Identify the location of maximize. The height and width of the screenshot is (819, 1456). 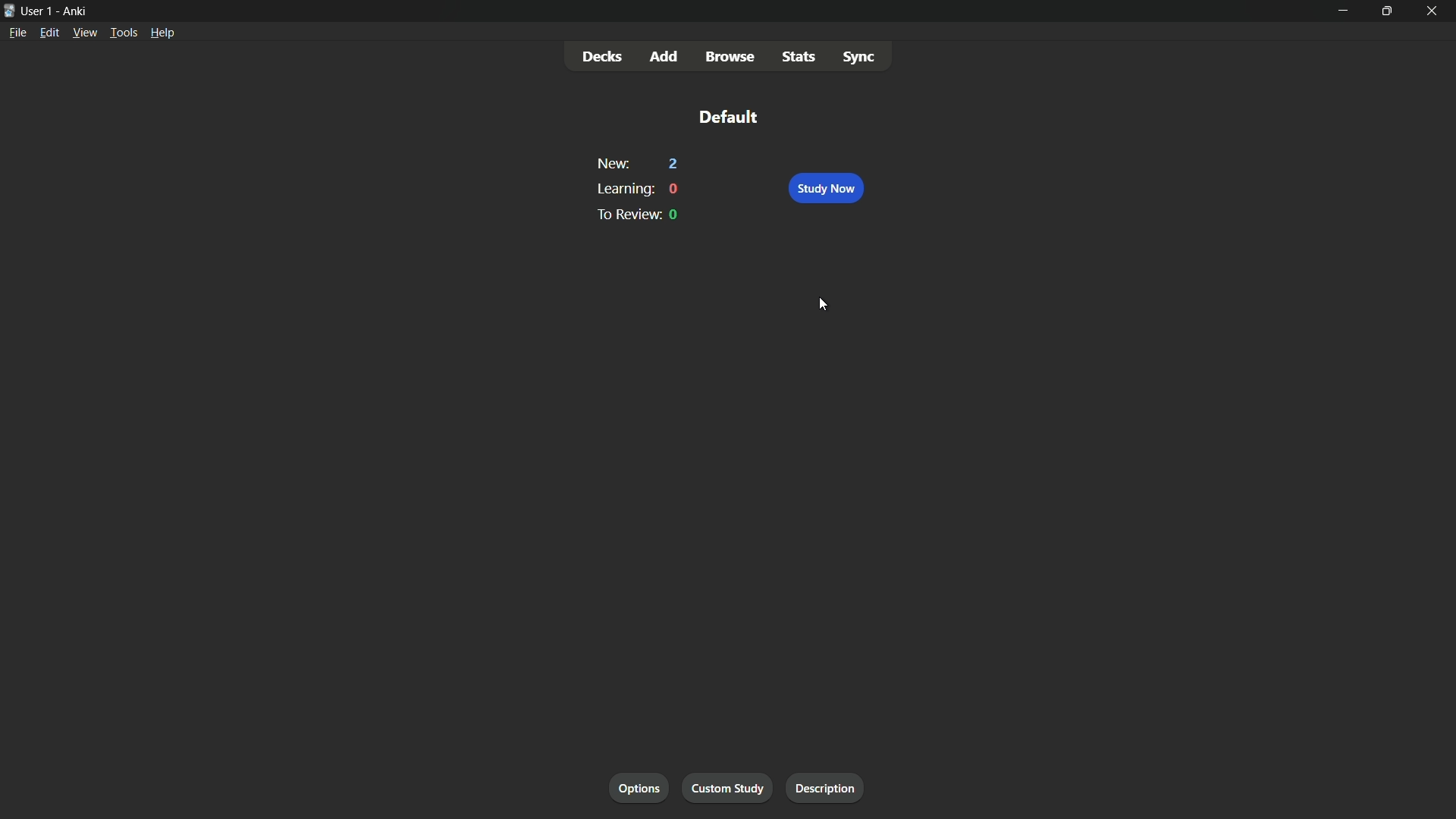
(1387, 11).